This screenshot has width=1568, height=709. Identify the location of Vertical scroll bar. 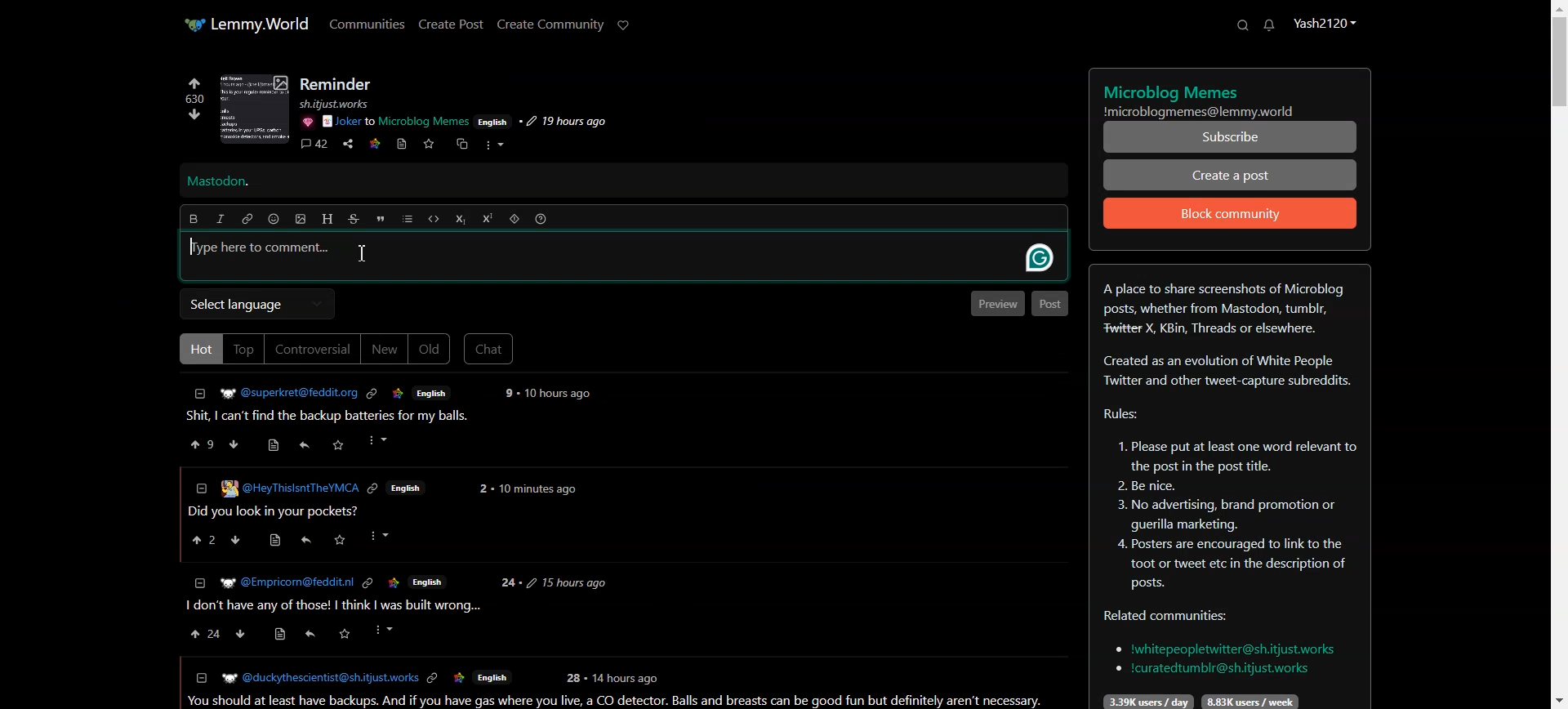
(1558, 354).